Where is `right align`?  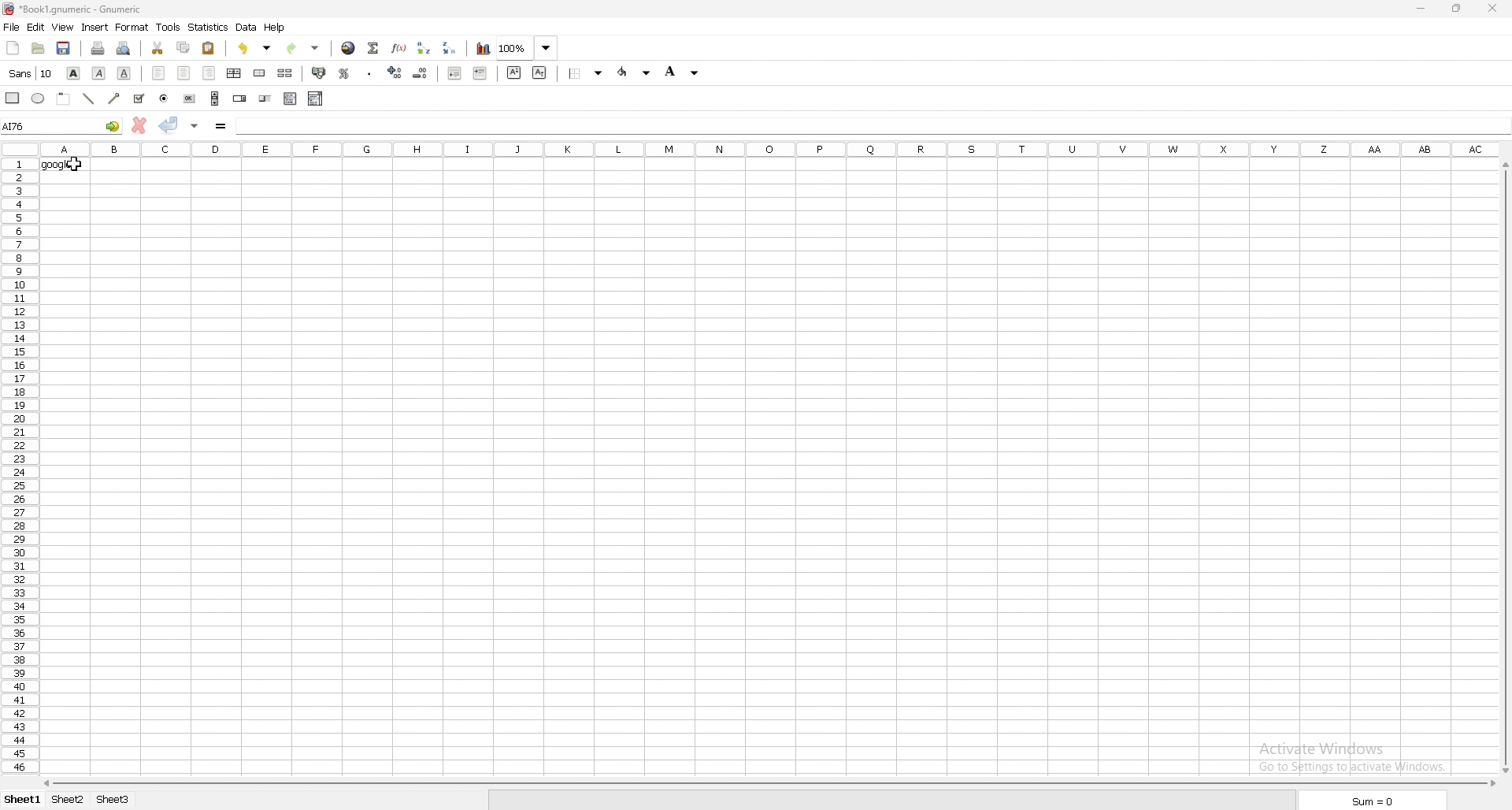
right align is located at coordinates (208, 72).